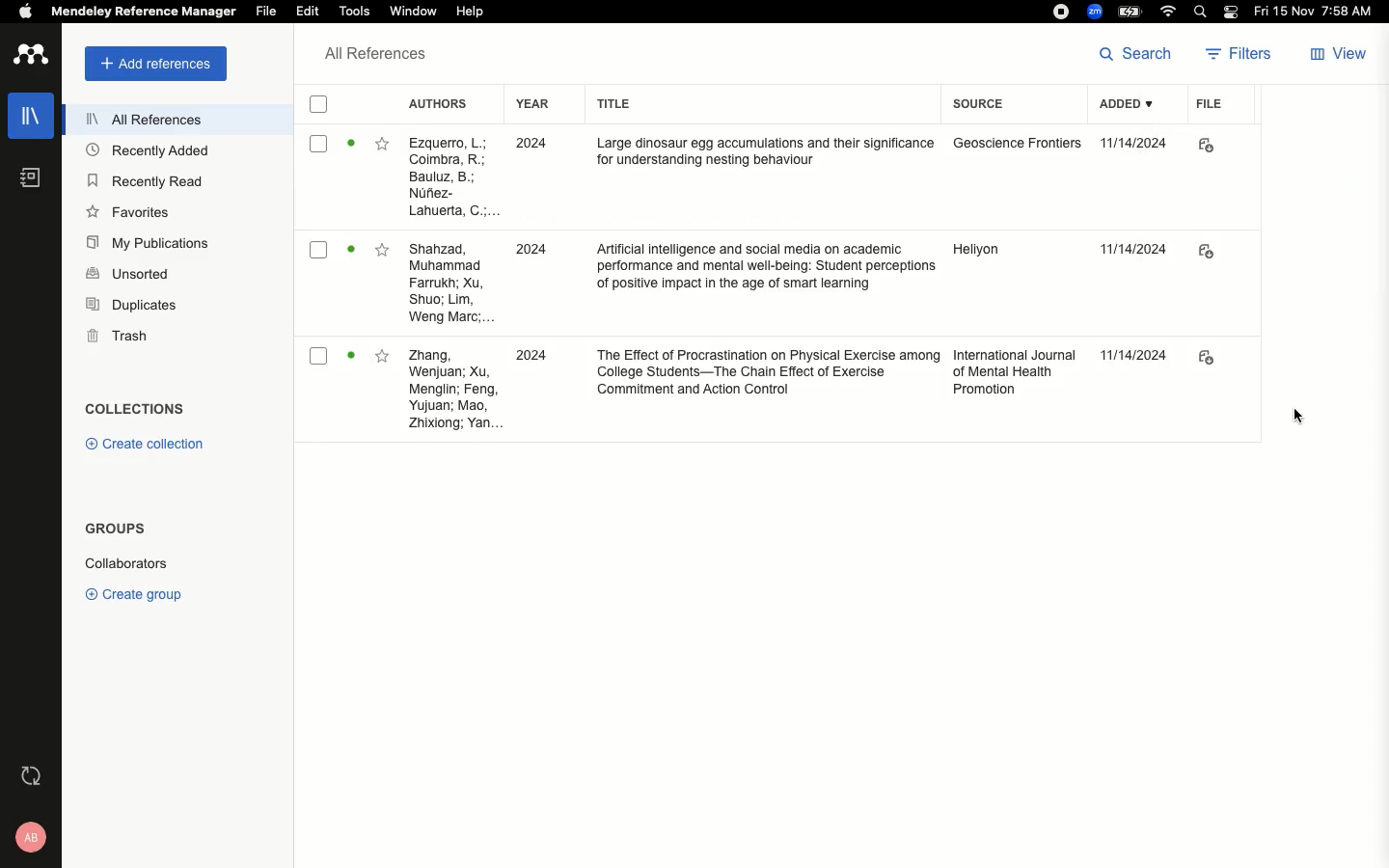  Describe the element at coordinates (26, 837) in the screenshot. I see `Account and help` at that location.